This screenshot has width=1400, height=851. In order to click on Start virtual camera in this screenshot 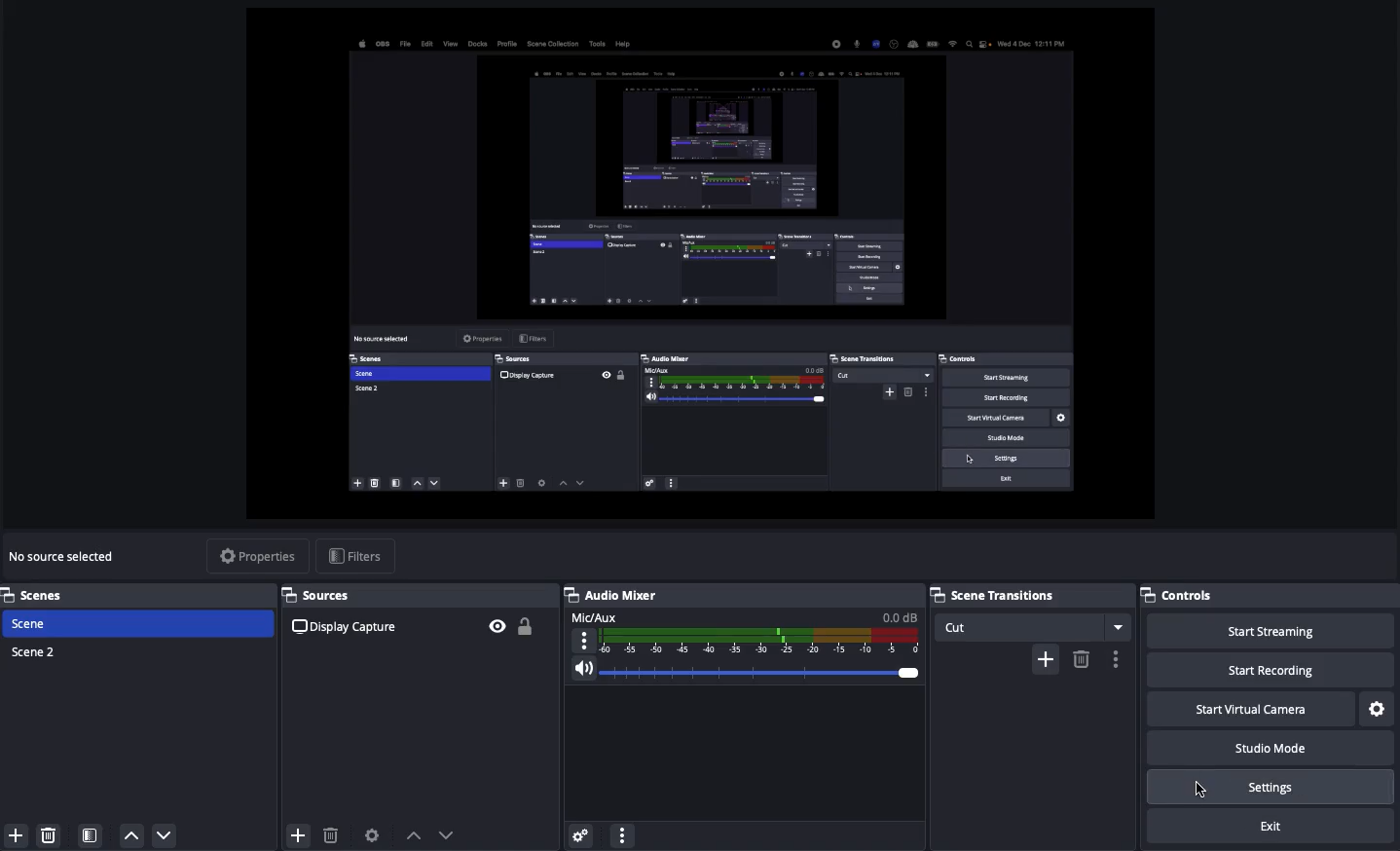, I will do `click(1248, 708)`.